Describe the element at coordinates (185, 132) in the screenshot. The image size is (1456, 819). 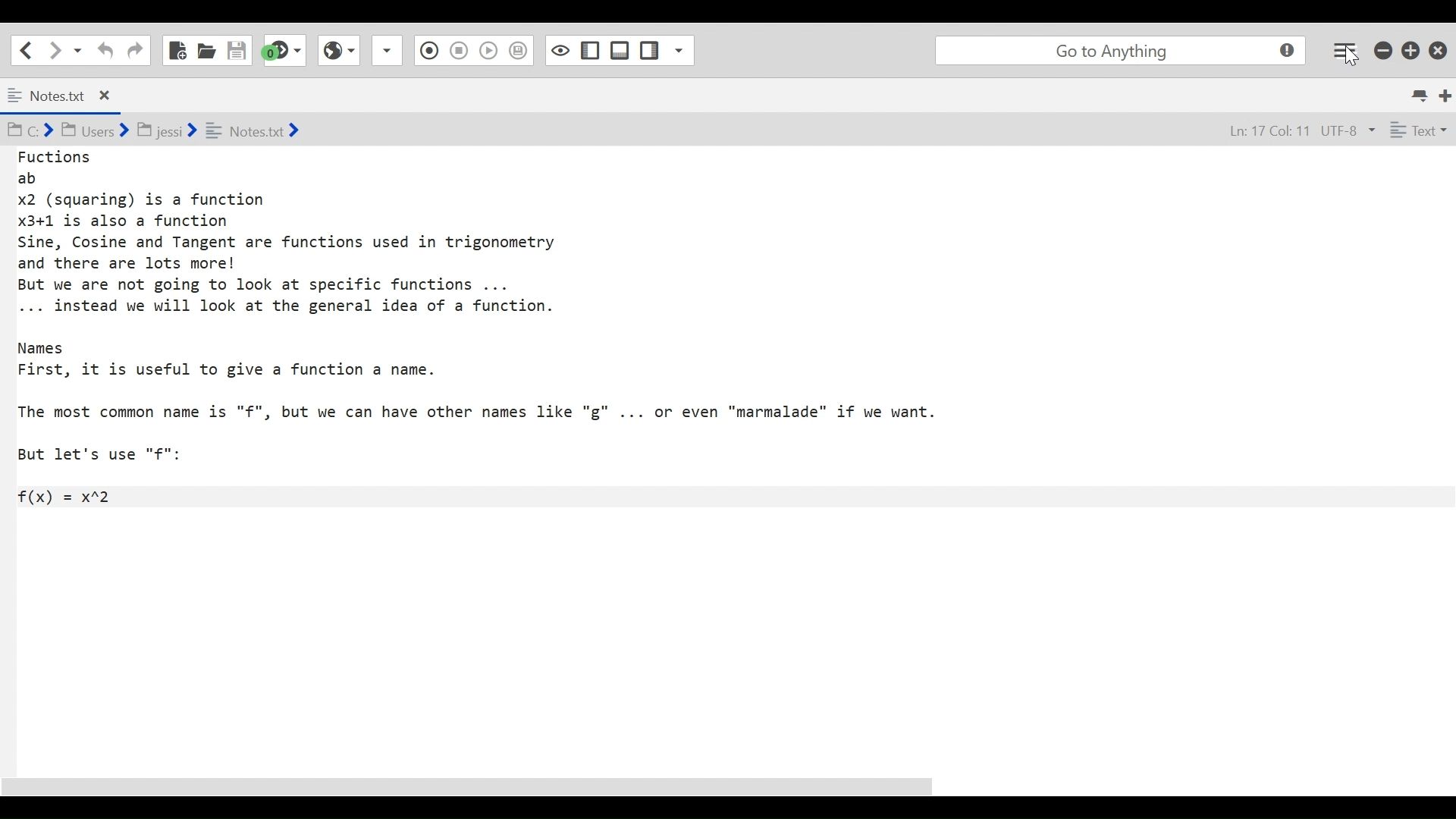
I see `Cd BY Users ¥ BJ jessi ¥ = Notesixt &` at that location.